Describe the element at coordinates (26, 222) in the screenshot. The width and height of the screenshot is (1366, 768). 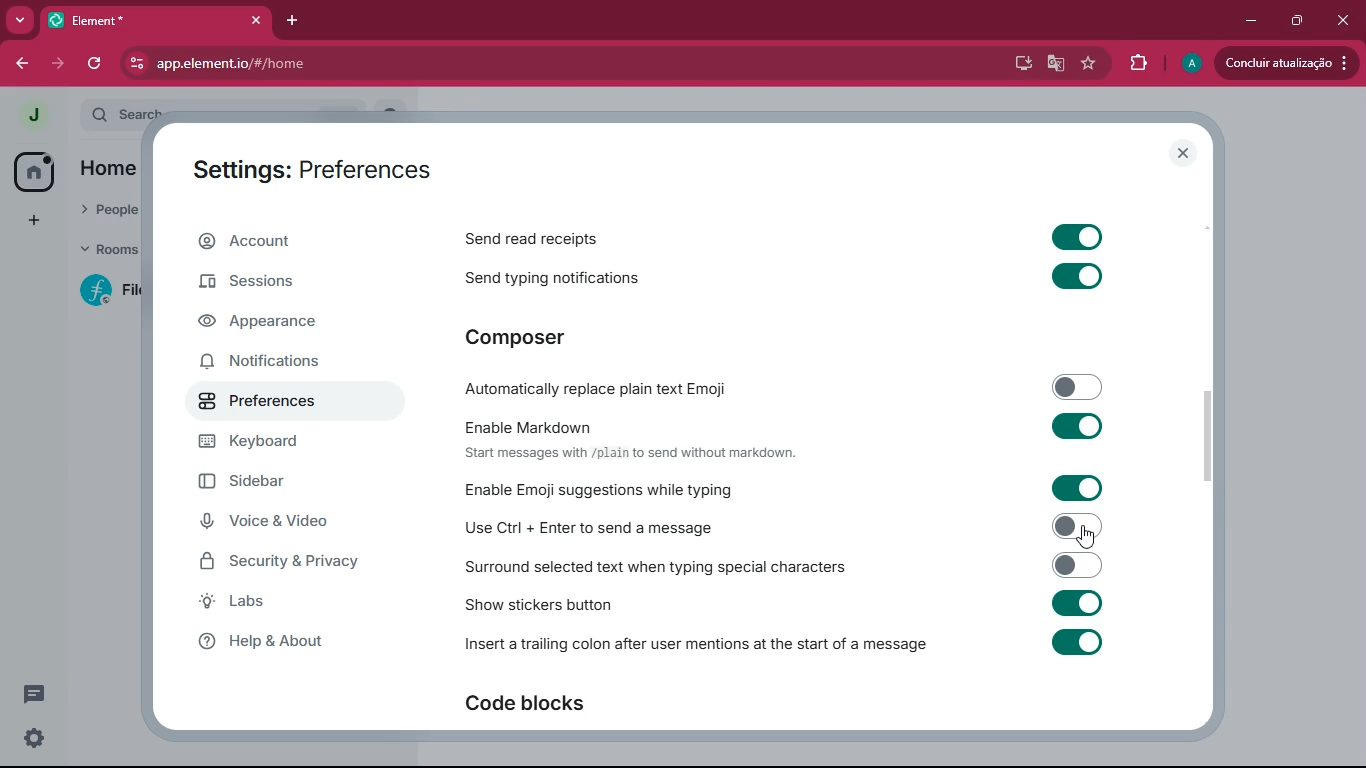
I see `add` at that location.